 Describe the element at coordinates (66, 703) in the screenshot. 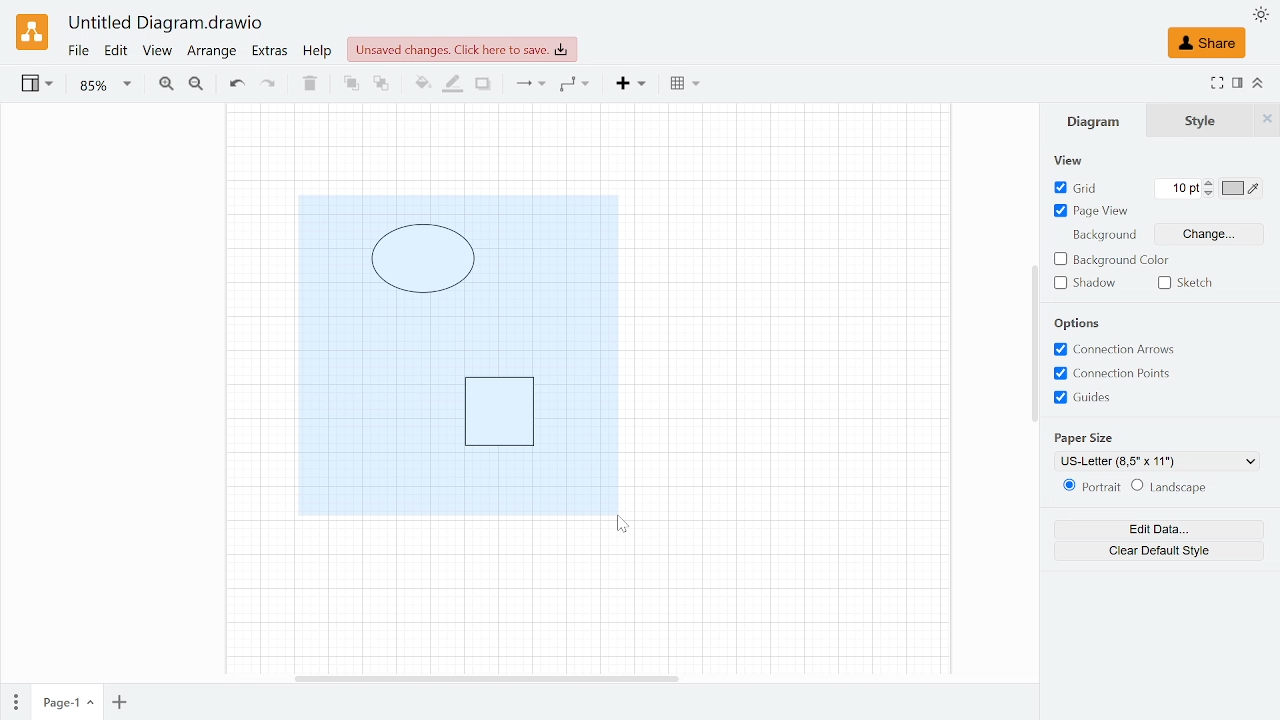

I see `Current page` at that location.